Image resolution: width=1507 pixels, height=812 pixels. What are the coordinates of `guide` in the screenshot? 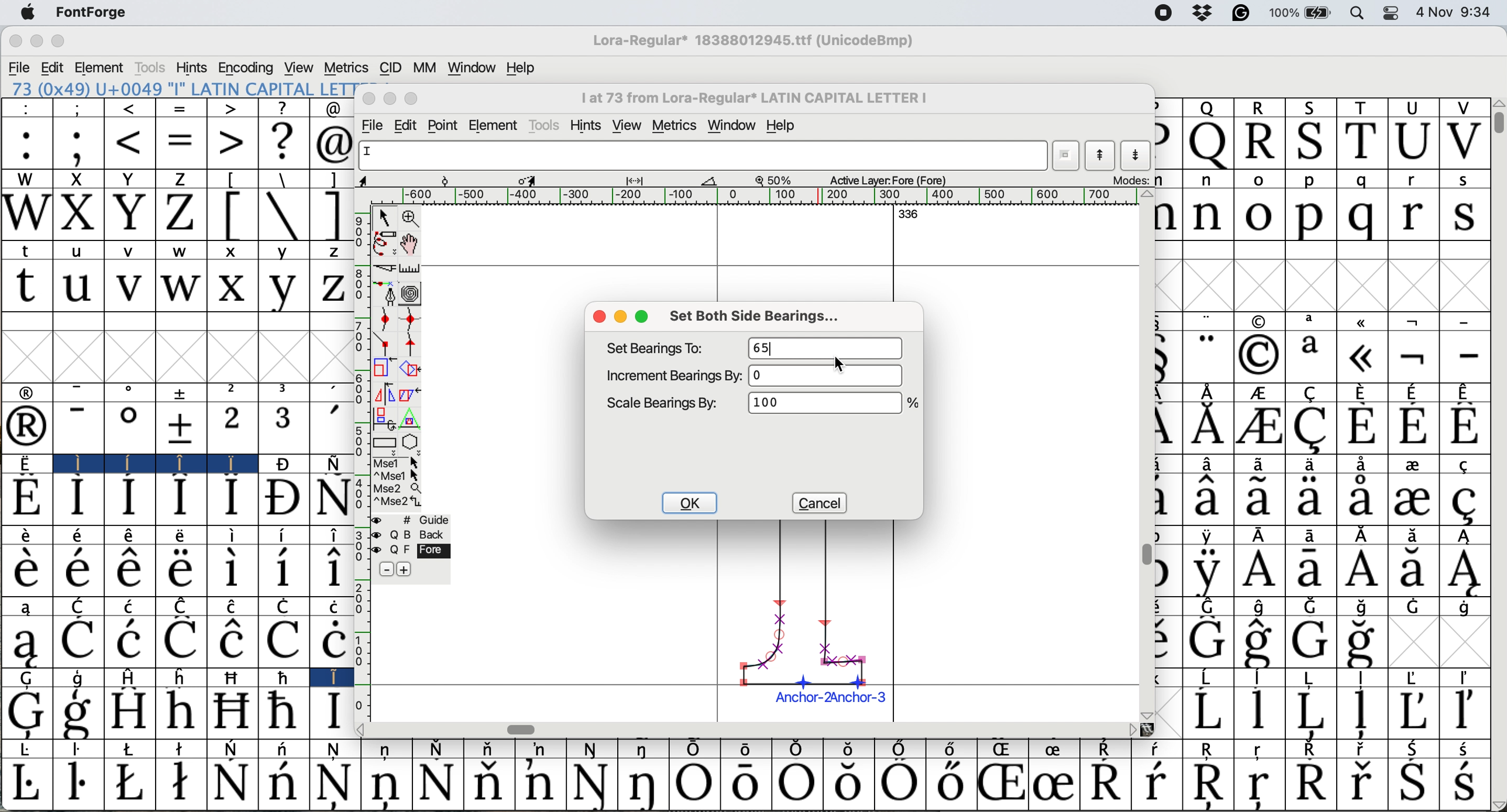 It's located at (426, 519).